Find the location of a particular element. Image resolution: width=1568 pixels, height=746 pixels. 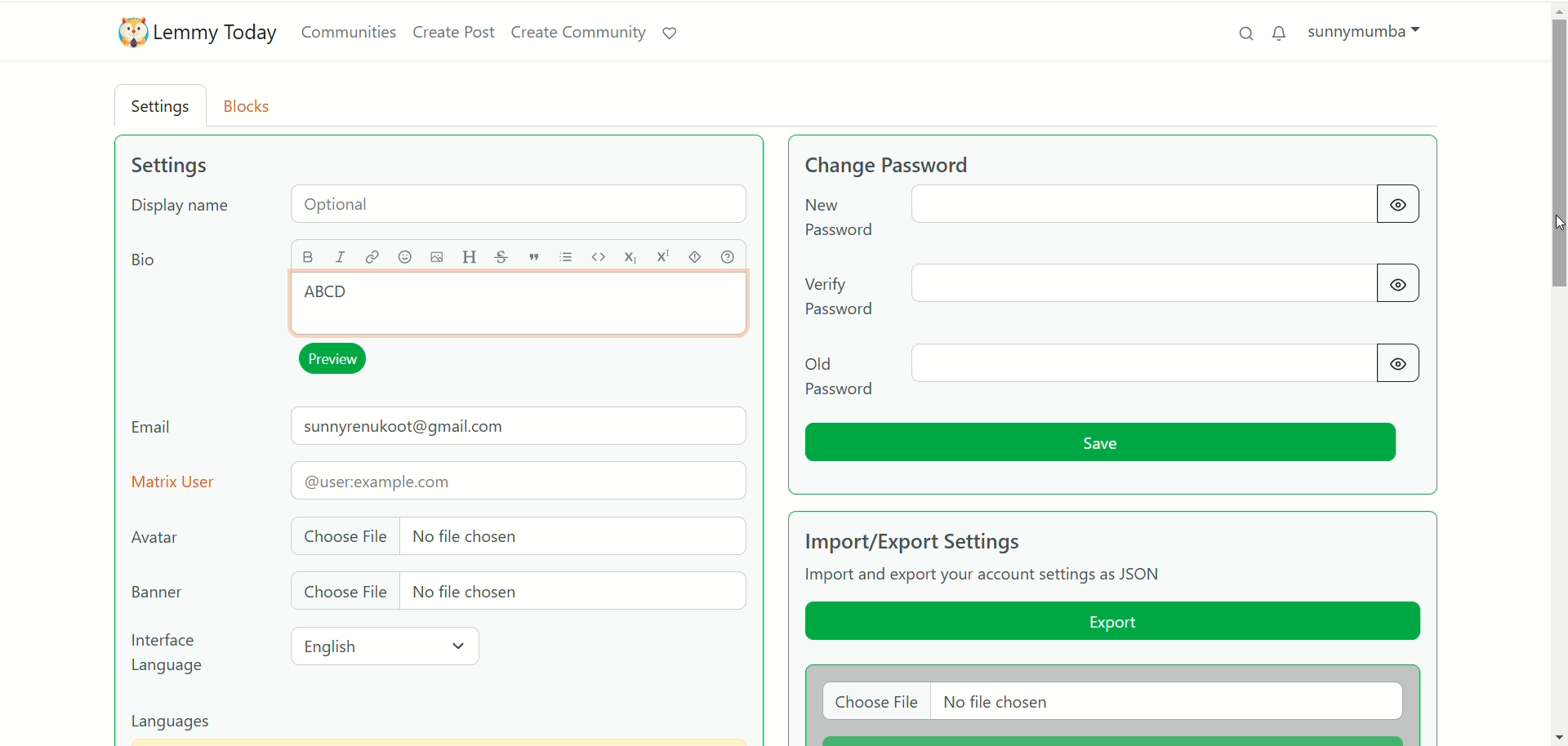

import/export settings is located at coordinates (947, 540).